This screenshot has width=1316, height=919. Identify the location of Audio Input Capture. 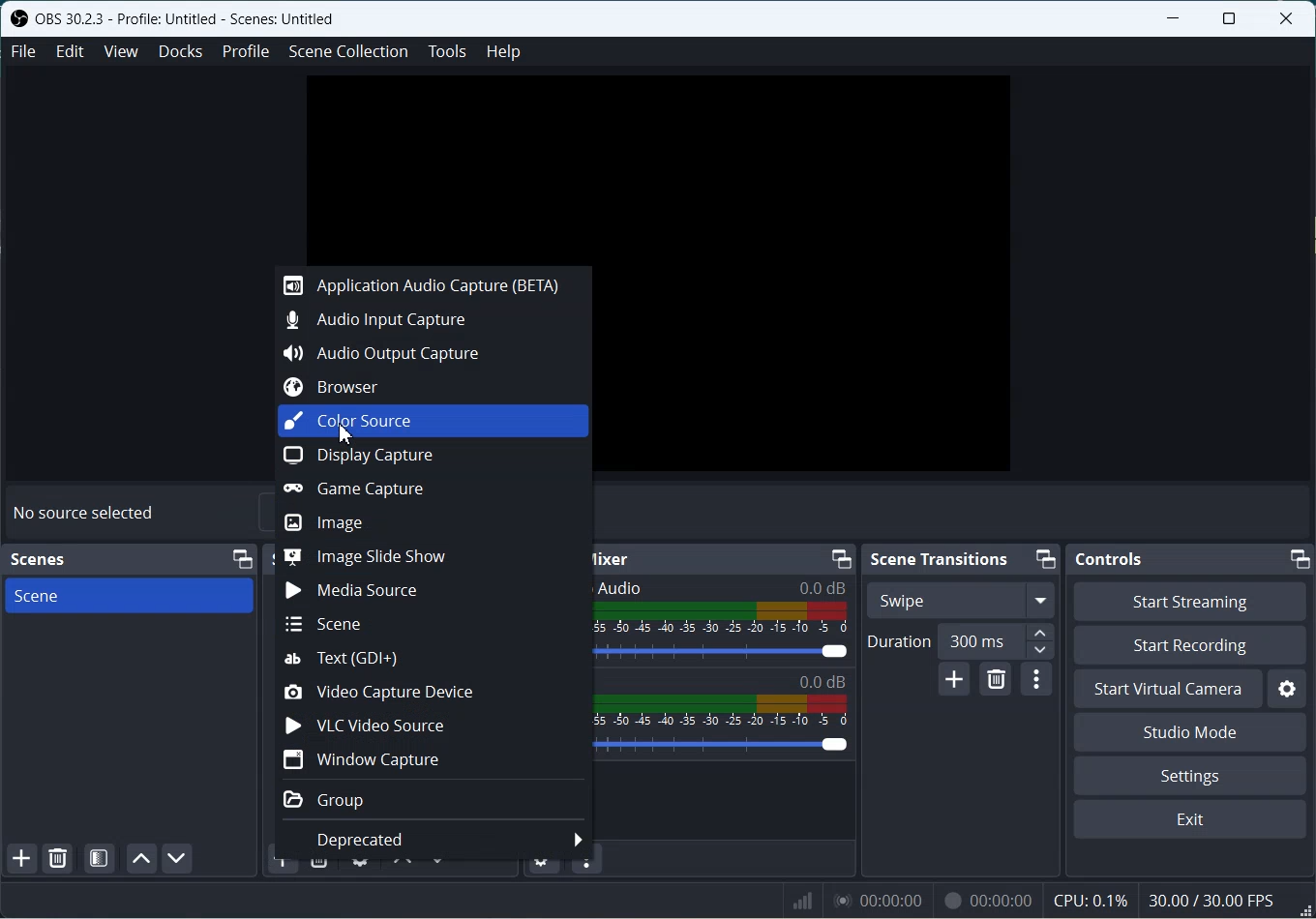
(423, 320).